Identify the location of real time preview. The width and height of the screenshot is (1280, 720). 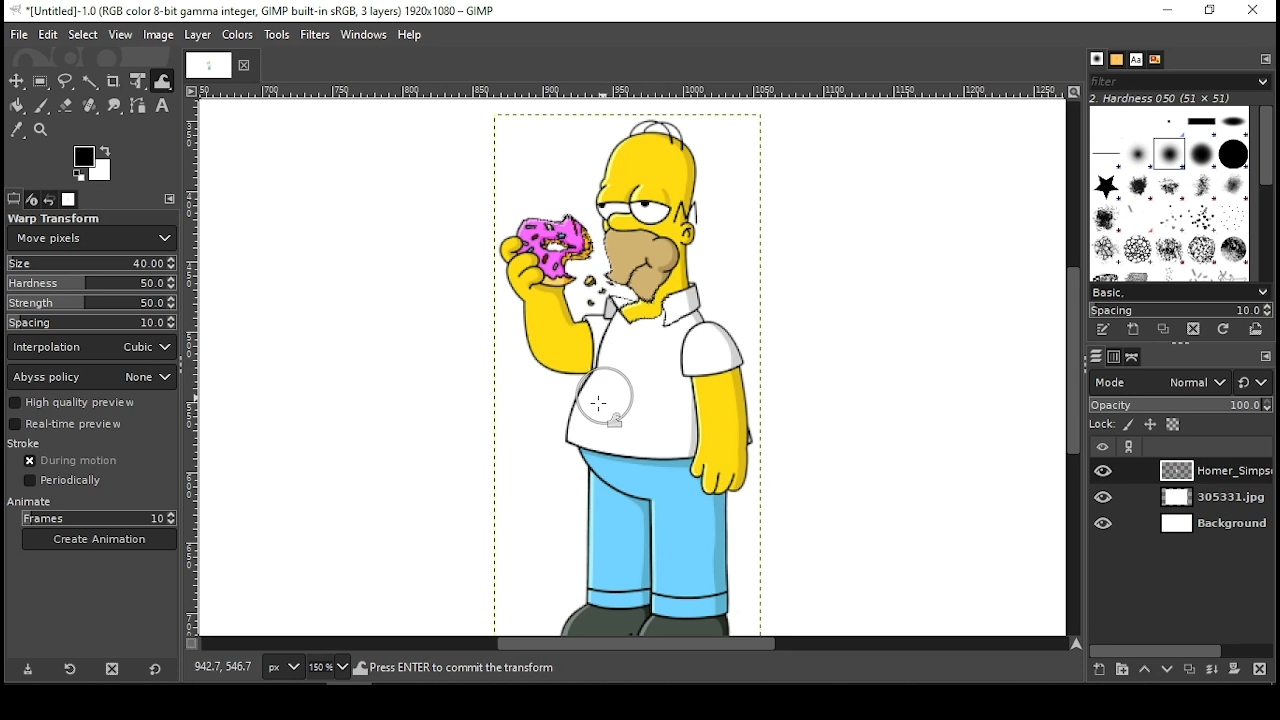
(91, 424).